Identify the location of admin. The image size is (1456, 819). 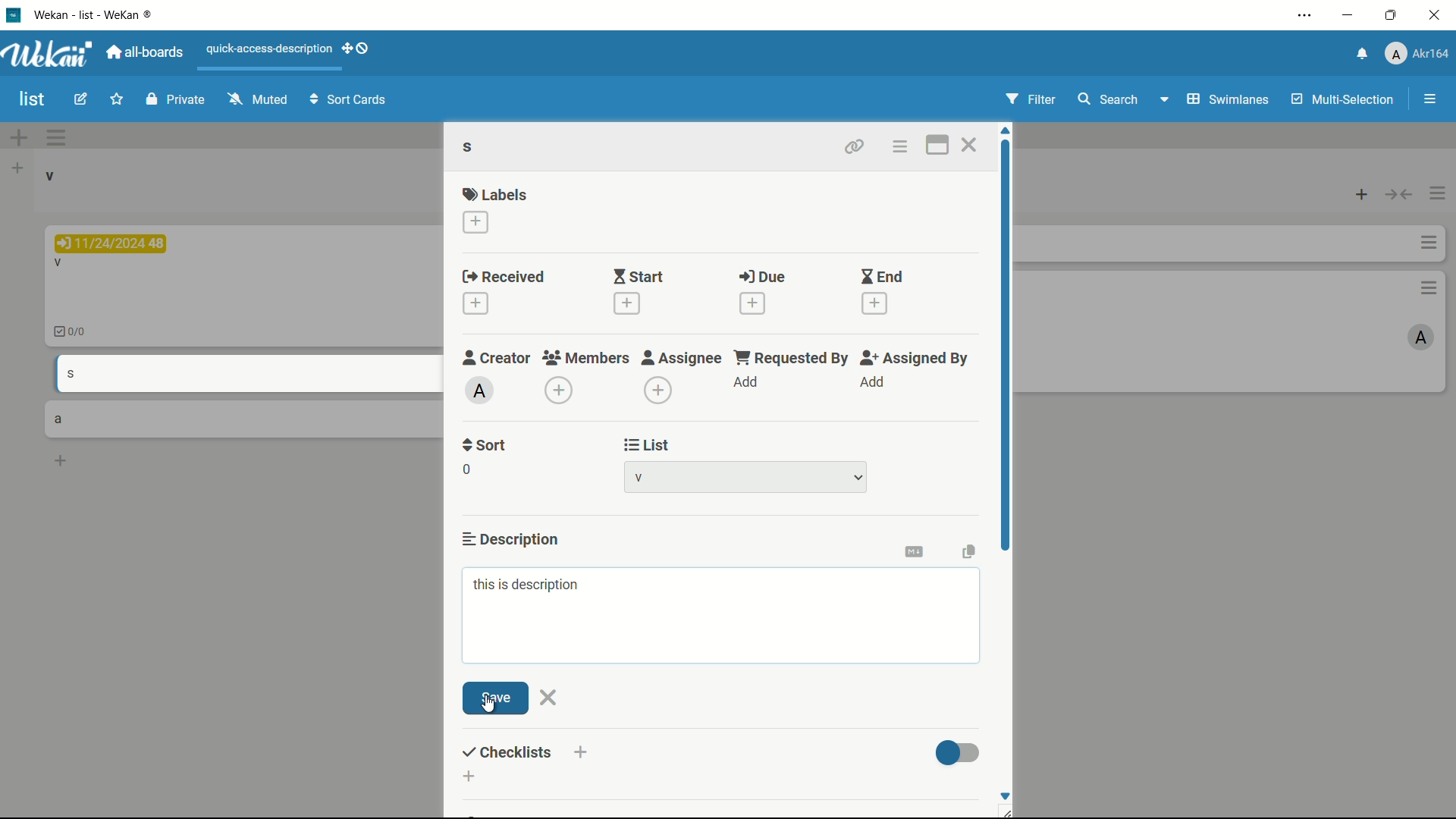
(479, 391).